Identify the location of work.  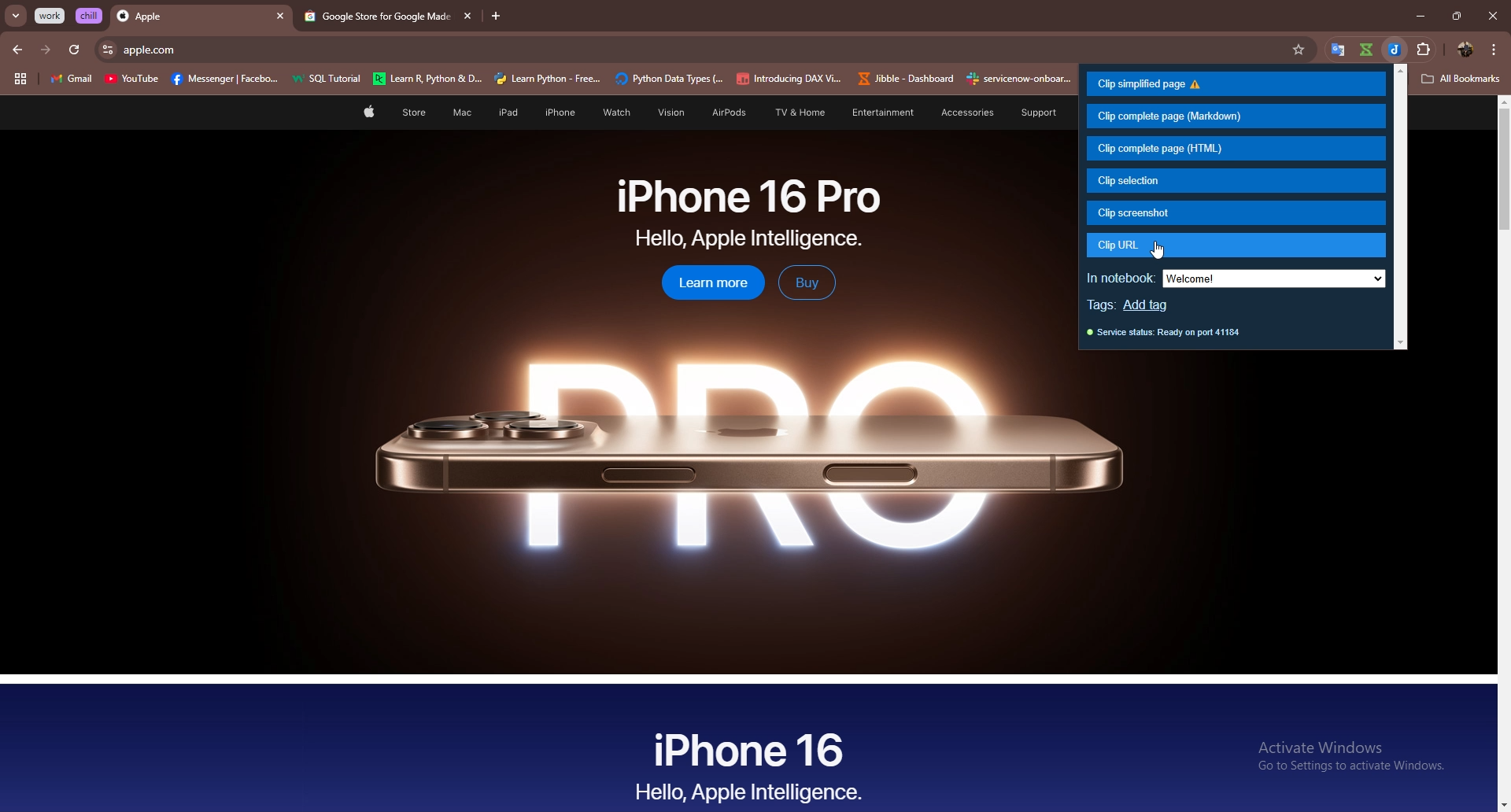
(51, 16).